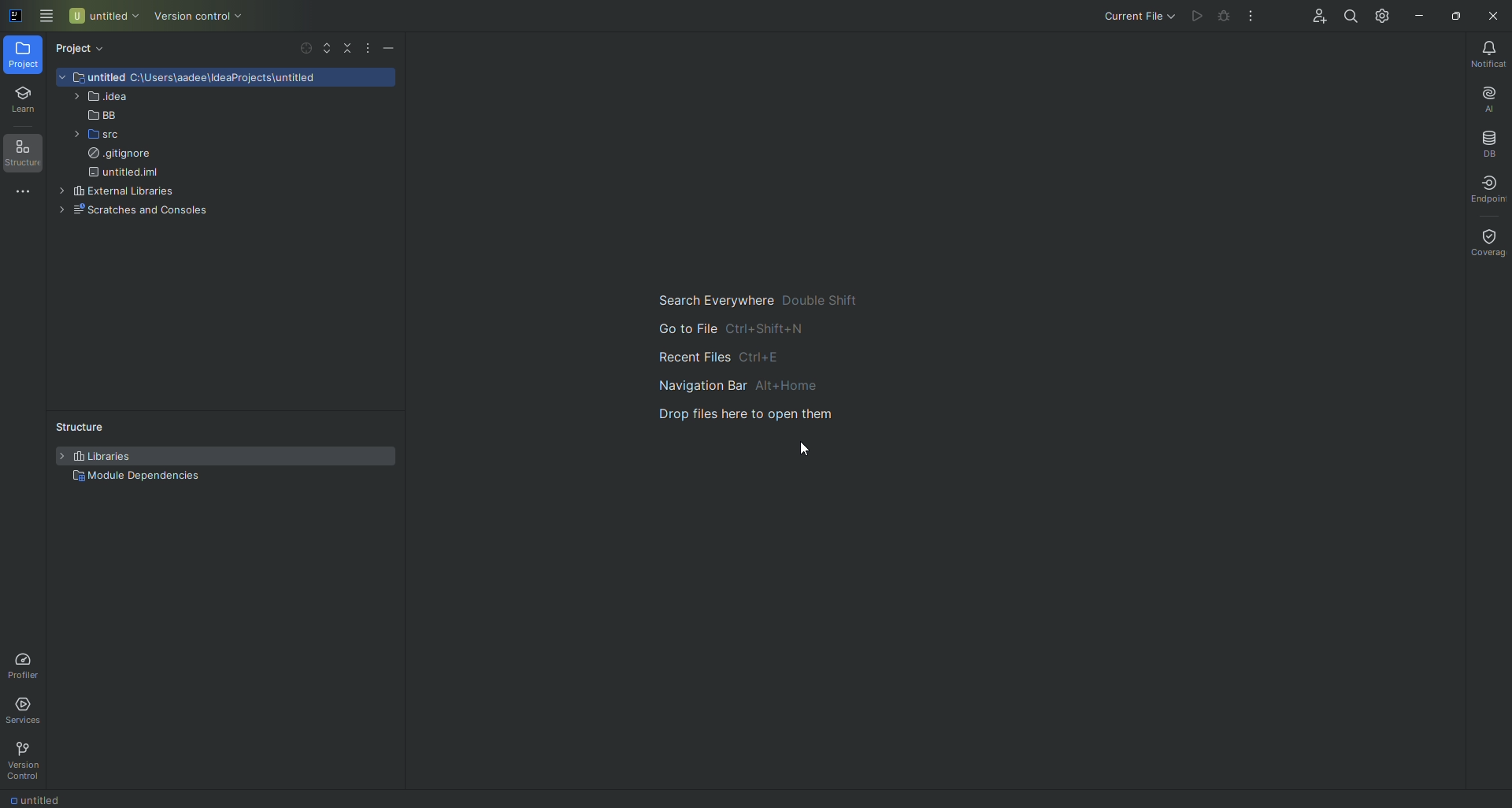 Image resolution: width=1512 pixels, height=808 pixels. What do you see at coordinates (43, 799) in the screenshot?
I see `Untitled` at bounding box center [43, 799].